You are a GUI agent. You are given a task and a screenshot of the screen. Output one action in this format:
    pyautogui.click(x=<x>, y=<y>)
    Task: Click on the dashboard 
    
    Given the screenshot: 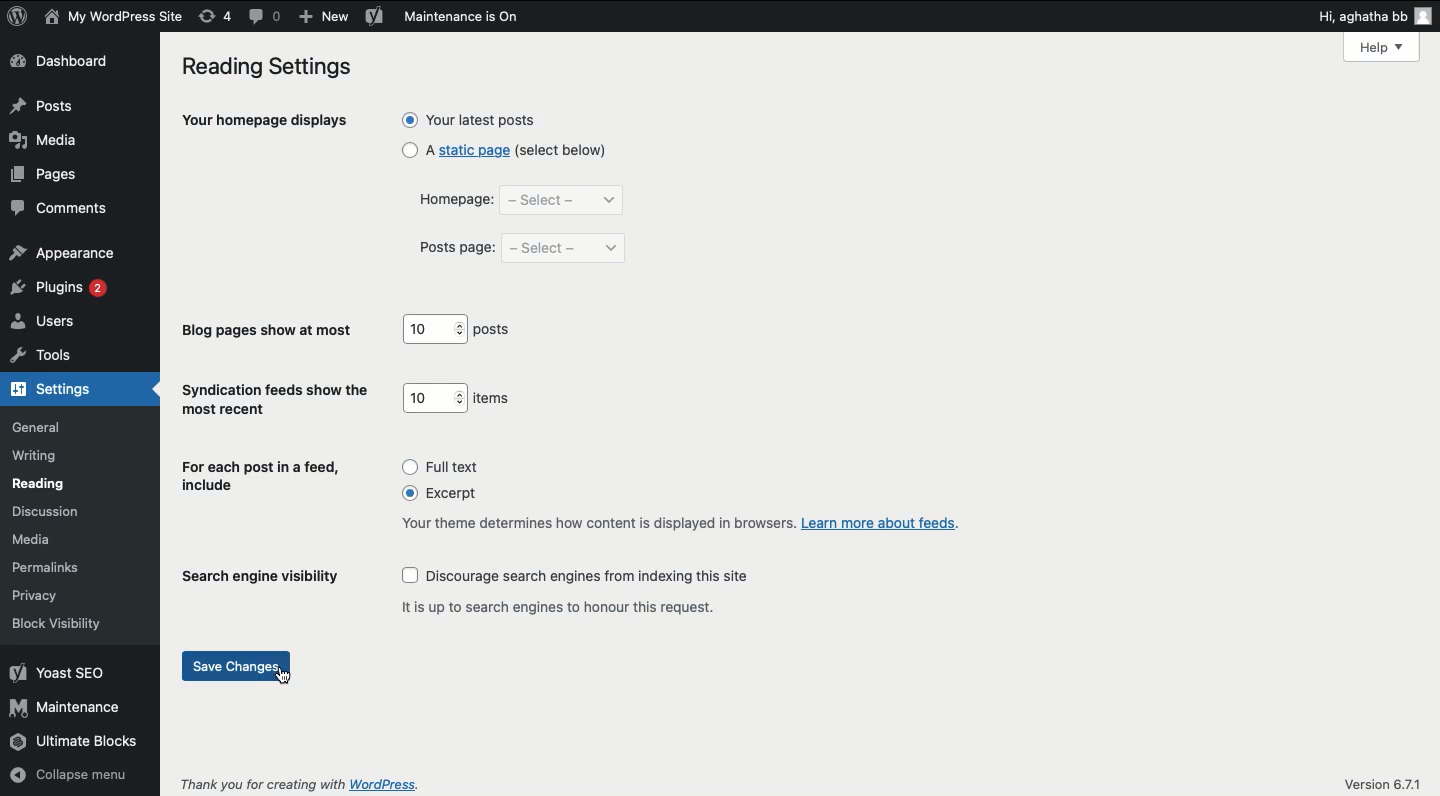 What is the action you would take?
    pyautogui.click(x=61, y=61)
    